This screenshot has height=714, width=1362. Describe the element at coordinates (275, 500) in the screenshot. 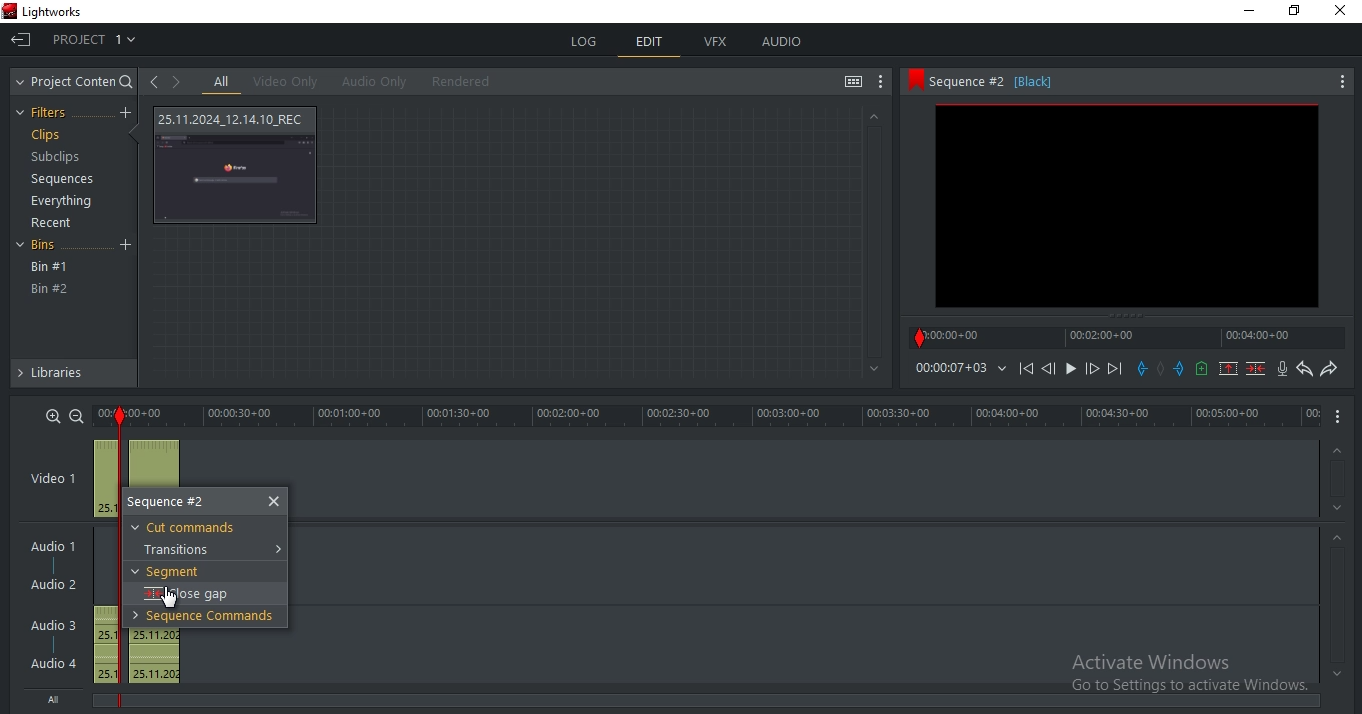

I see `close` at that location.